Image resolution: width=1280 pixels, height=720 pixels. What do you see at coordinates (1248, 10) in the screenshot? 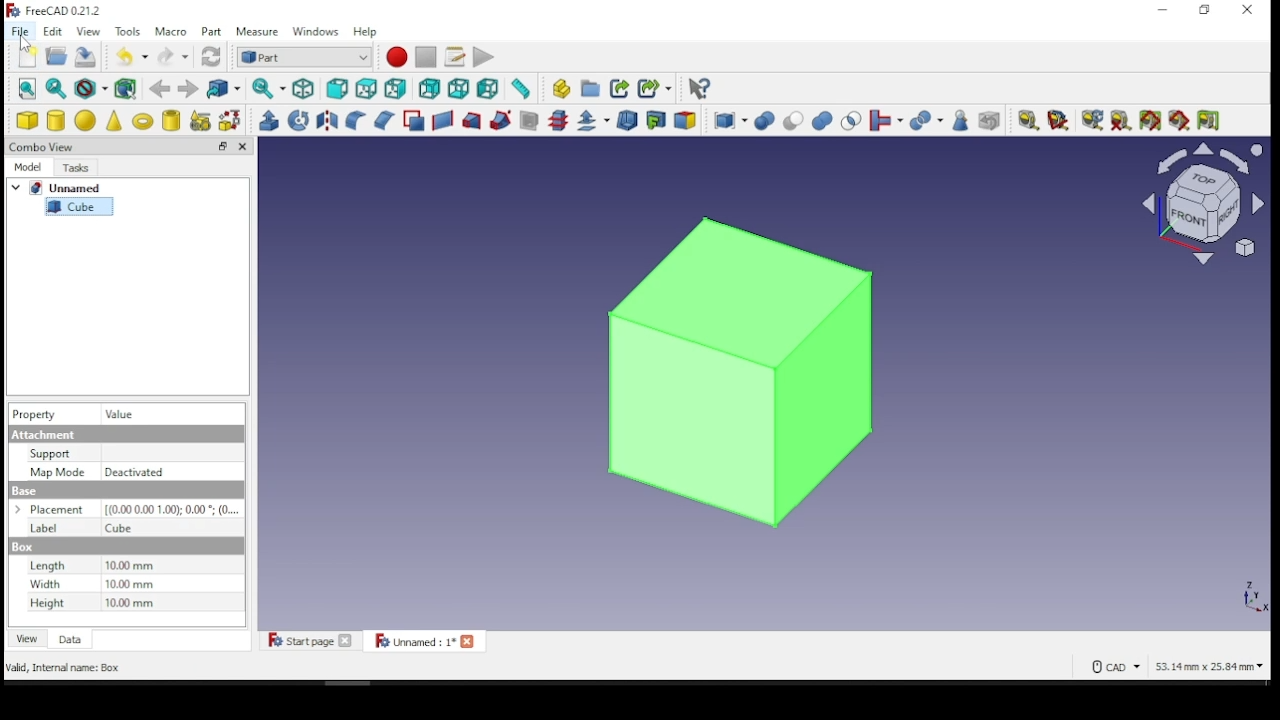
I see `close window` at bounding box center [1248, 10].